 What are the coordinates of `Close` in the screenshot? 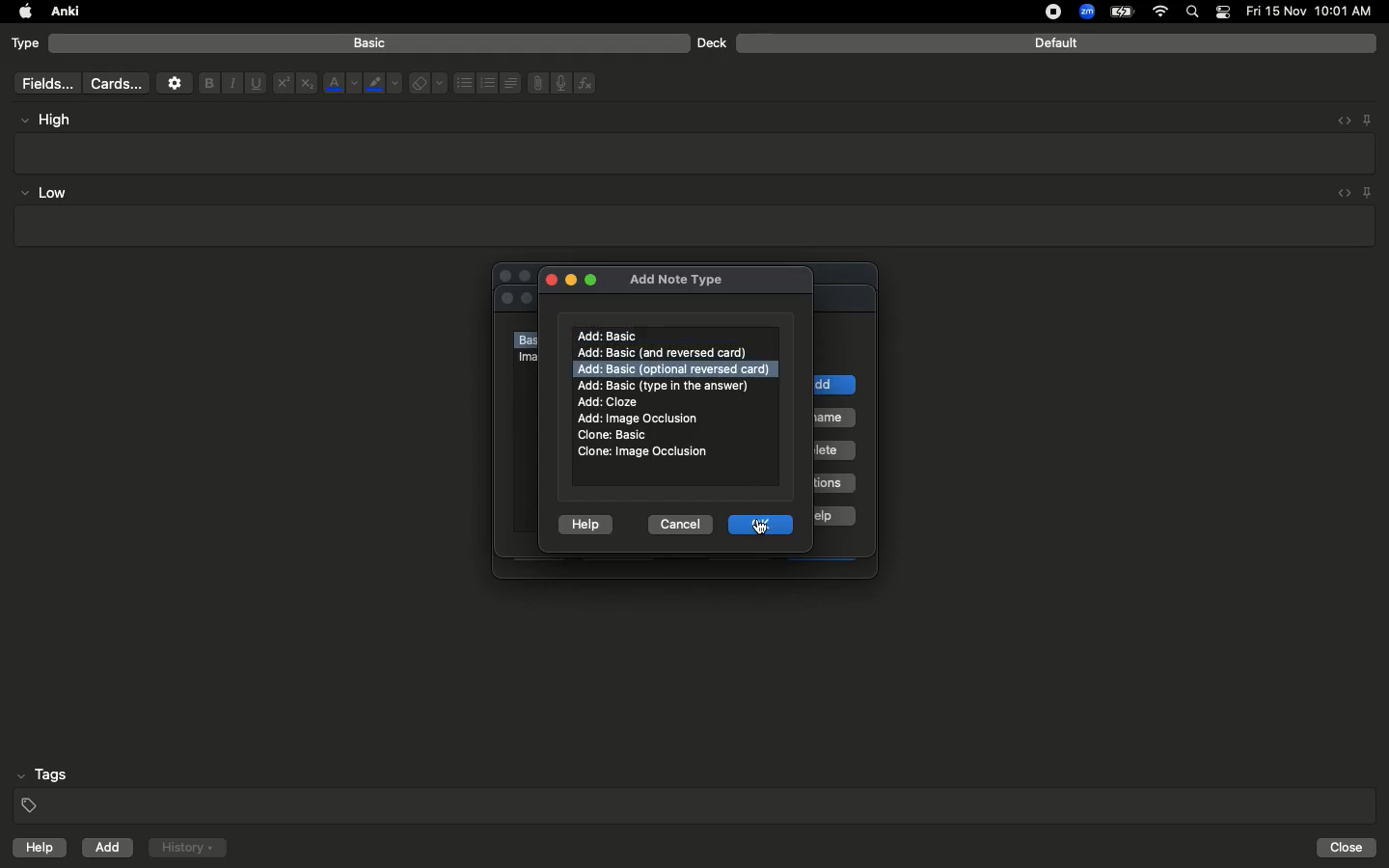 It's located at (1349, 848).